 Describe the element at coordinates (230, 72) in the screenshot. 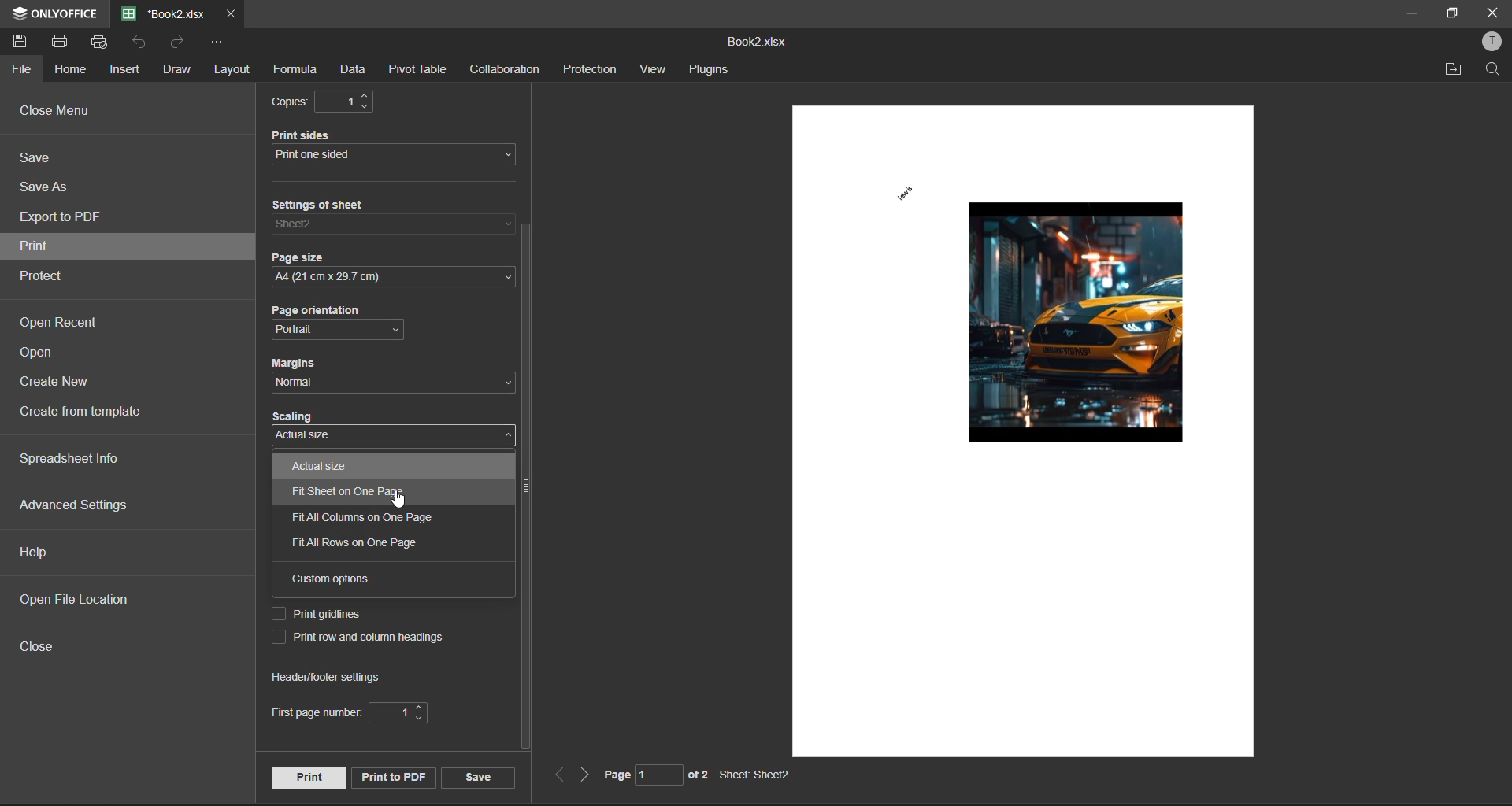

I see `layout` at that location.